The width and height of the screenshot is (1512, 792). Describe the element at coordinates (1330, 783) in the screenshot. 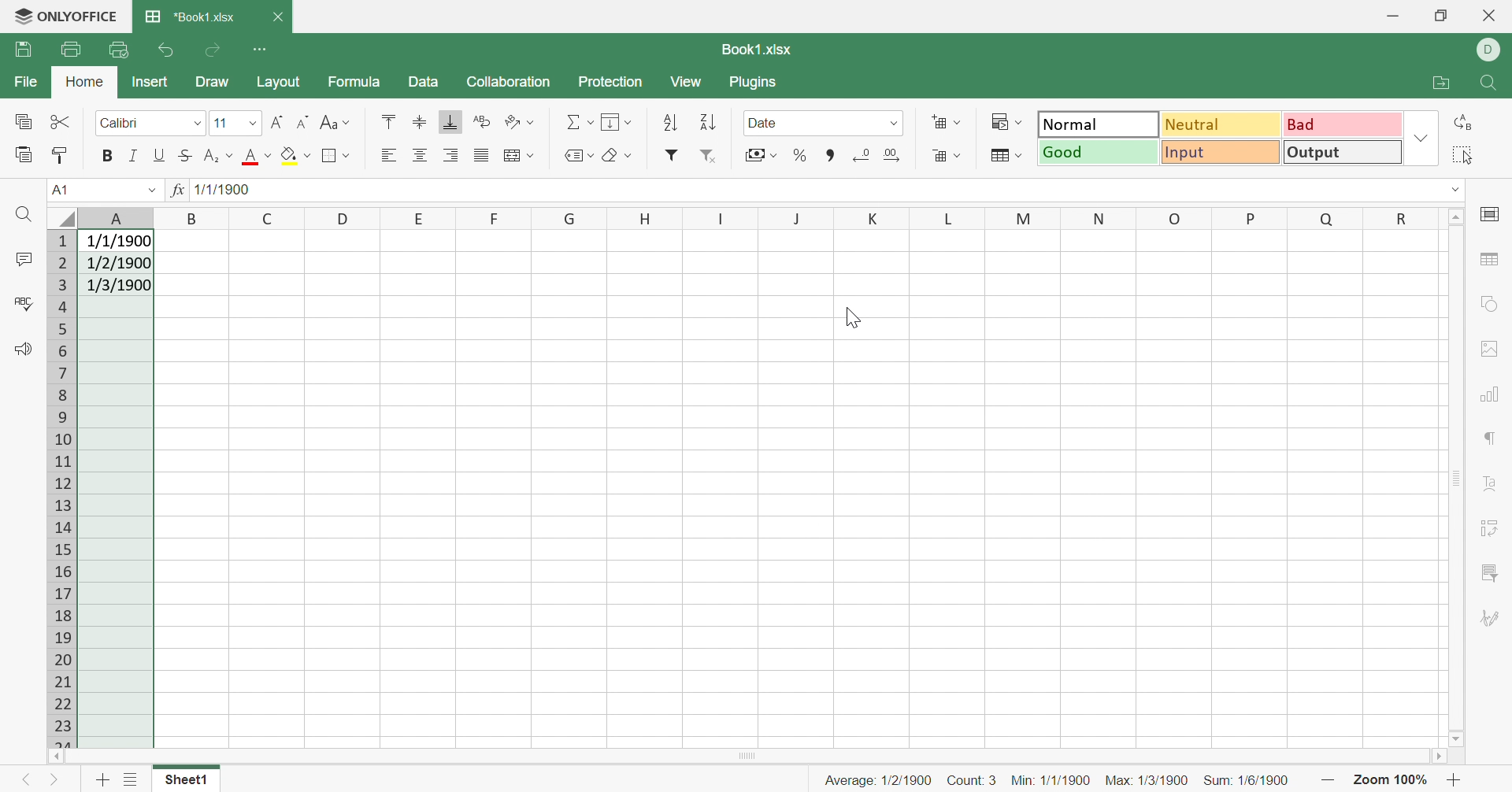

I see `Zoom out` at that location.